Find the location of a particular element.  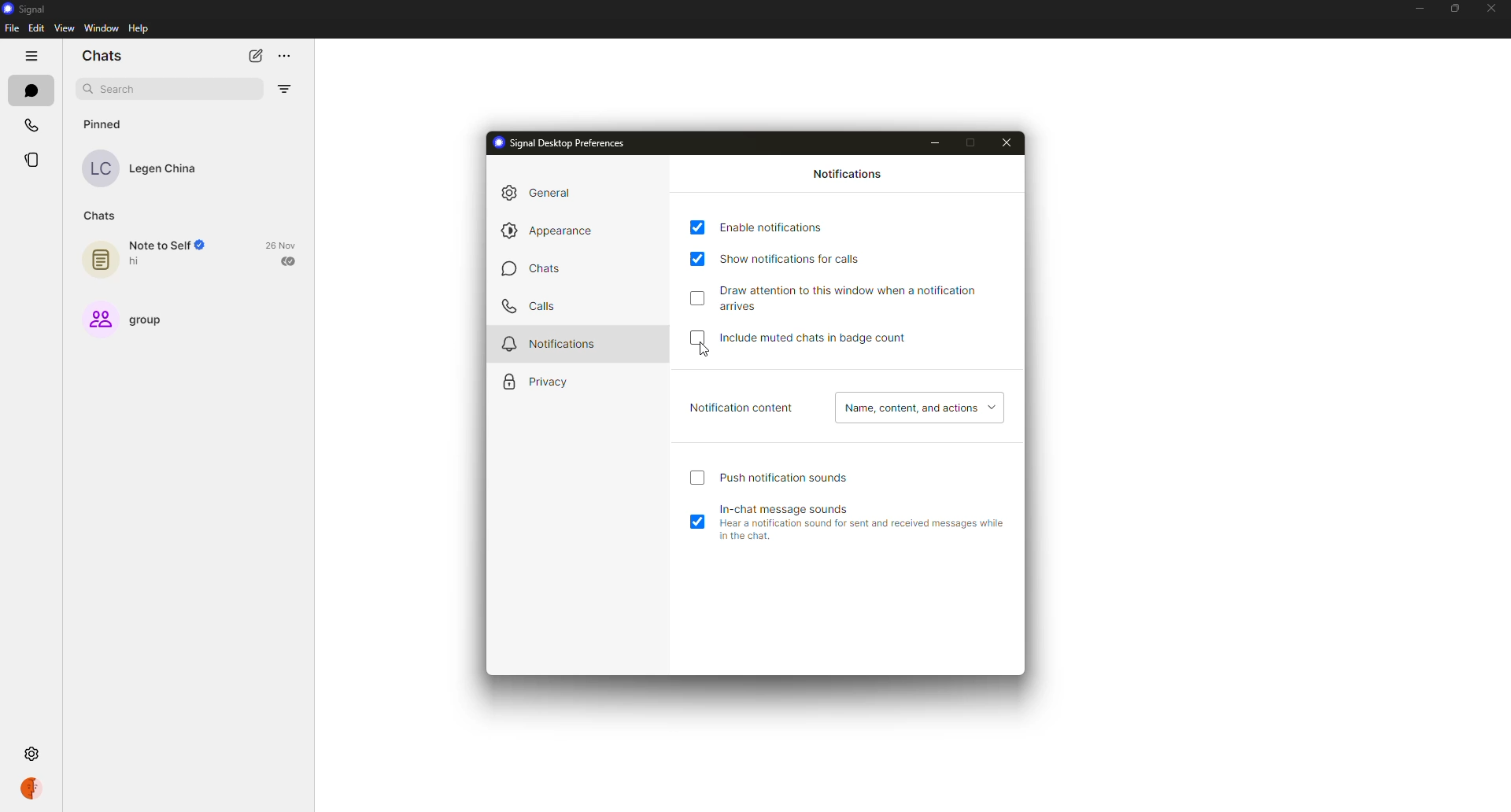

filter is located at coordinates (284, 89).